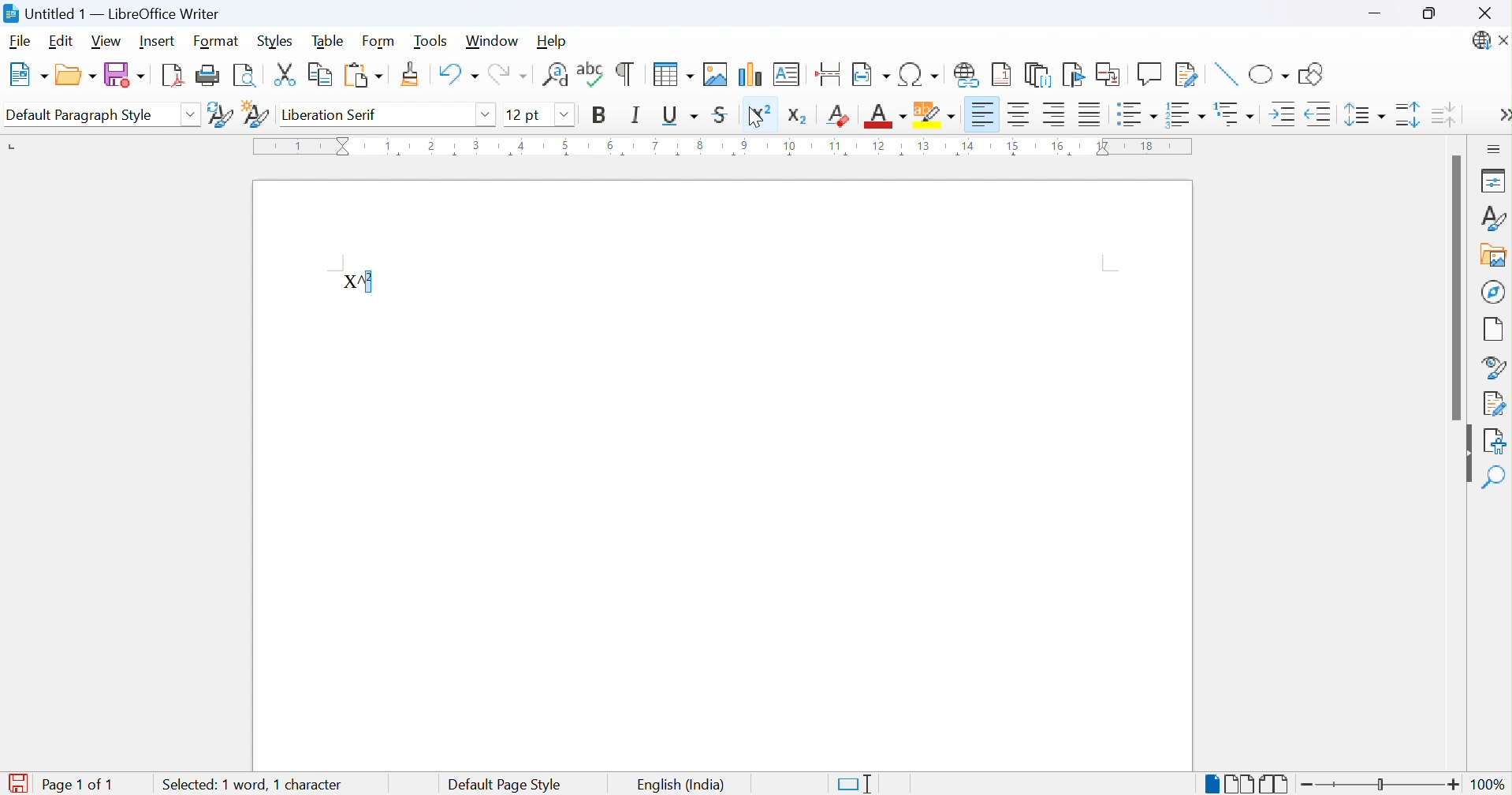  Describe the element at coordinates (870, 74) in the screenshot. I see `Insert page field` at that location.